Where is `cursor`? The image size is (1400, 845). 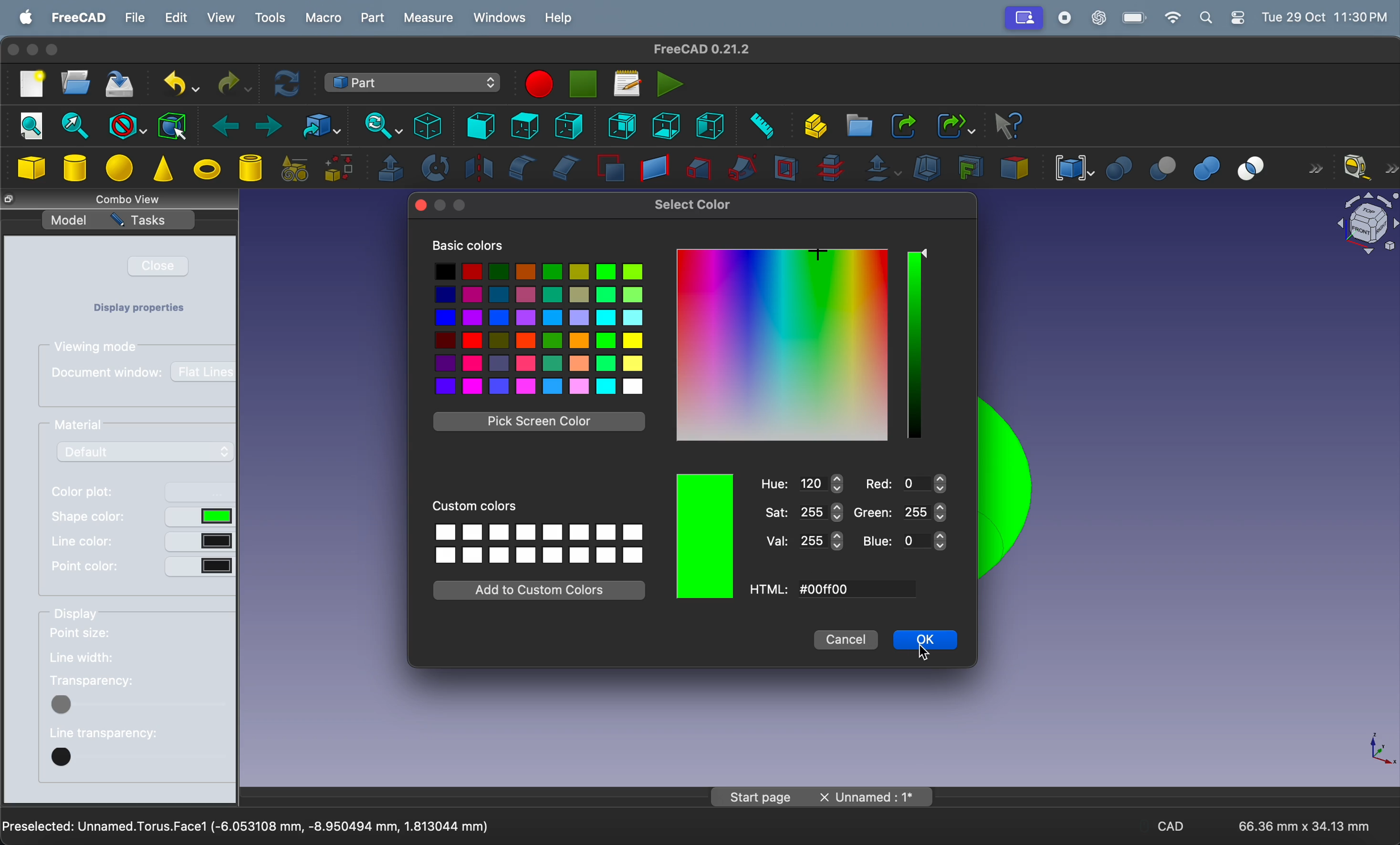
cursor is located at coordinates (923, 654).